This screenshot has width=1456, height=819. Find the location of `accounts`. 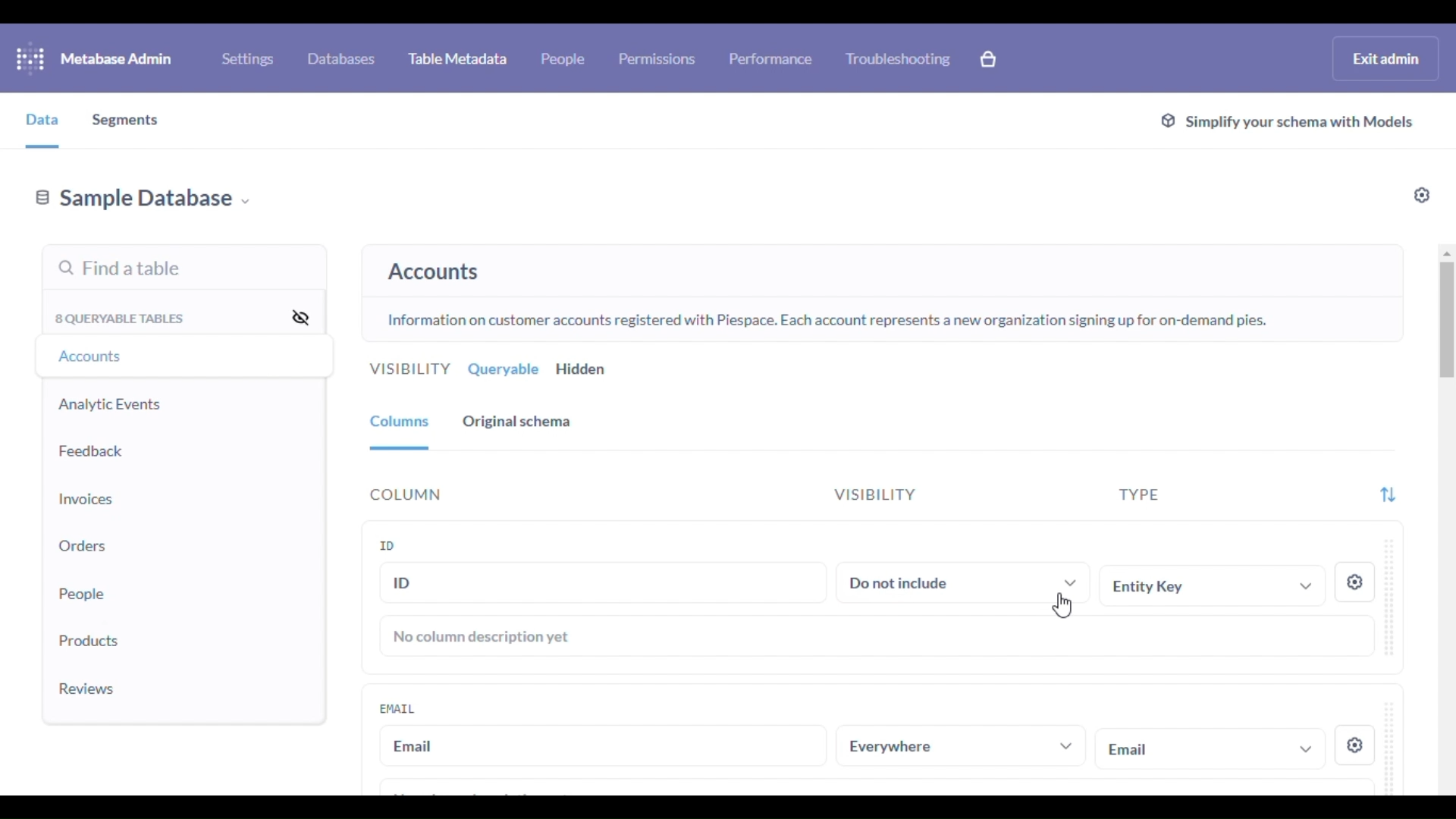

accounts is located at coordinates (94, 356).